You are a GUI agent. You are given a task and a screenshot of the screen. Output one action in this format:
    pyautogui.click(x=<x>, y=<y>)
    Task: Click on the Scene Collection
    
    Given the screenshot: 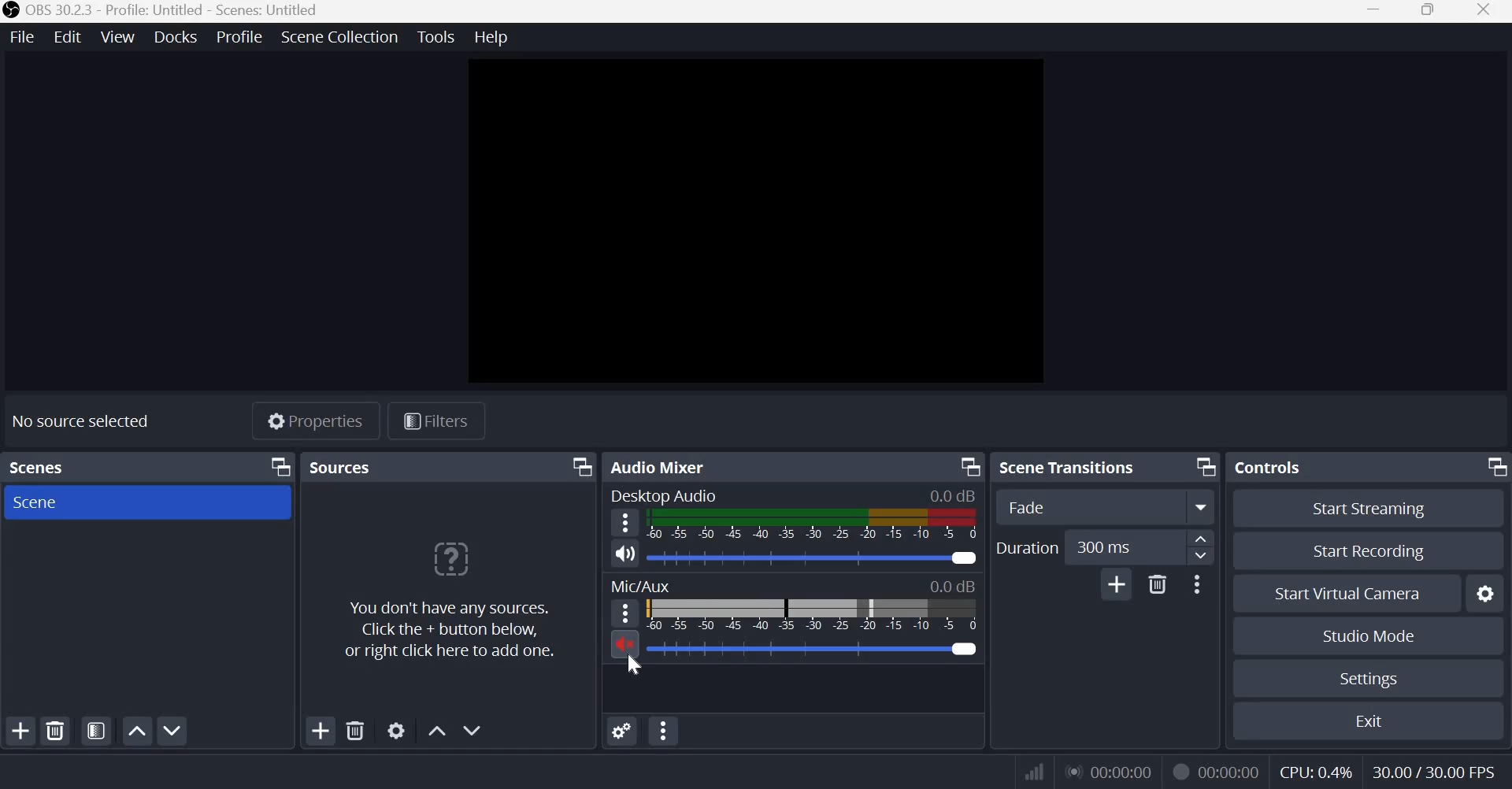 What is the action you would take?
    pyautogui.click(x=339, y=36)
    